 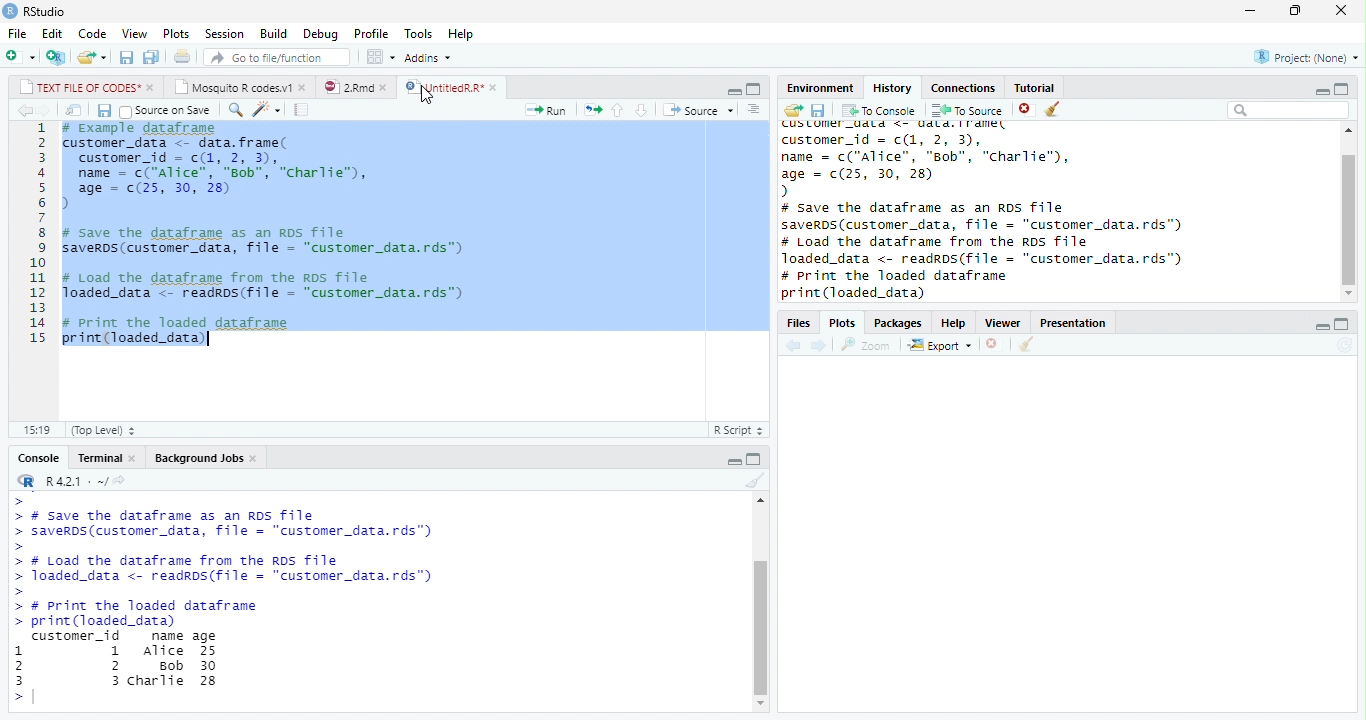 I want to click on close, so click(x=305, y=87).